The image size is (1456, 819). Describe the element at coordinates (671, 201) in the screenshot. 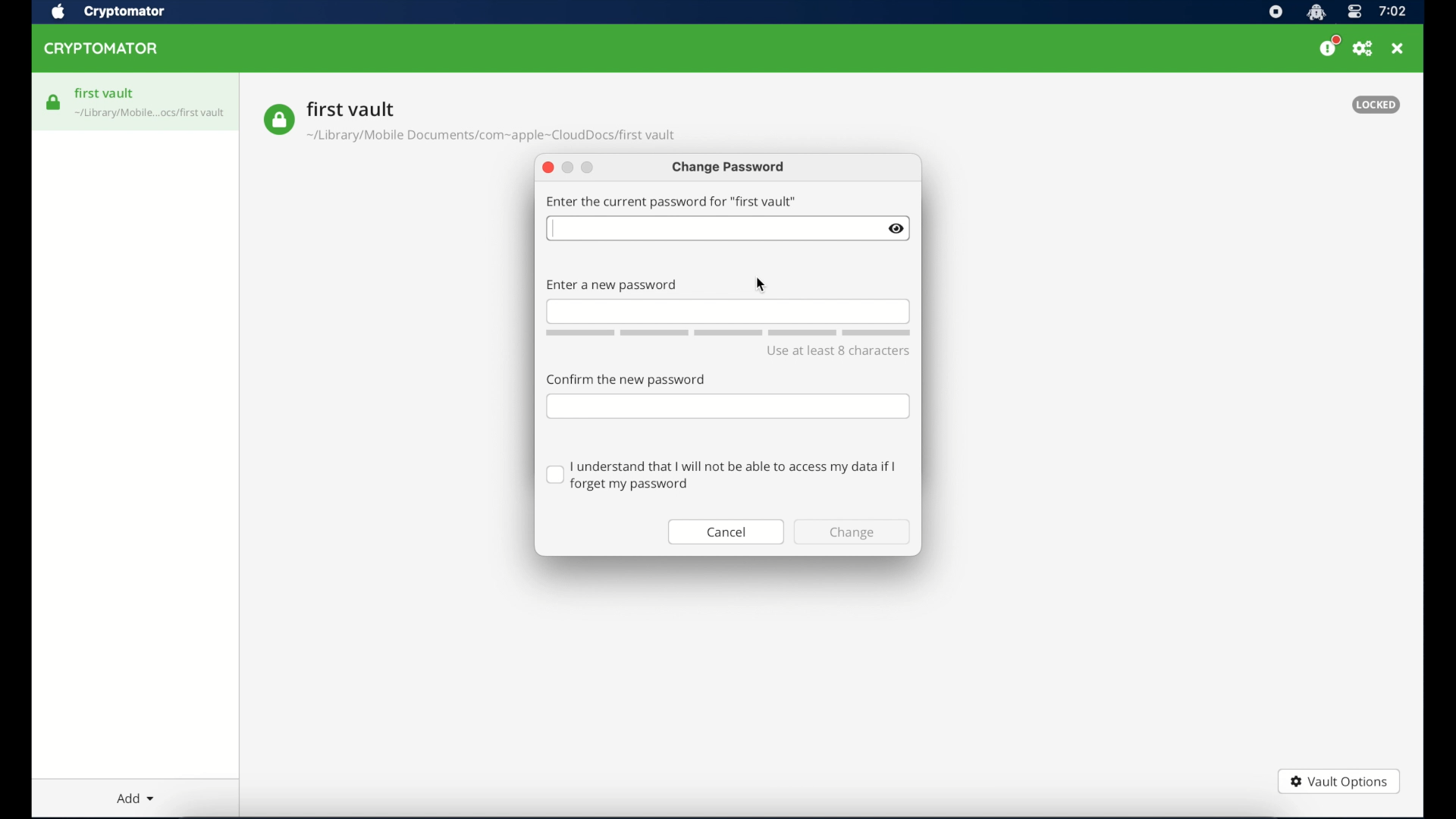

I see `enter the current password for first vault` at that location.